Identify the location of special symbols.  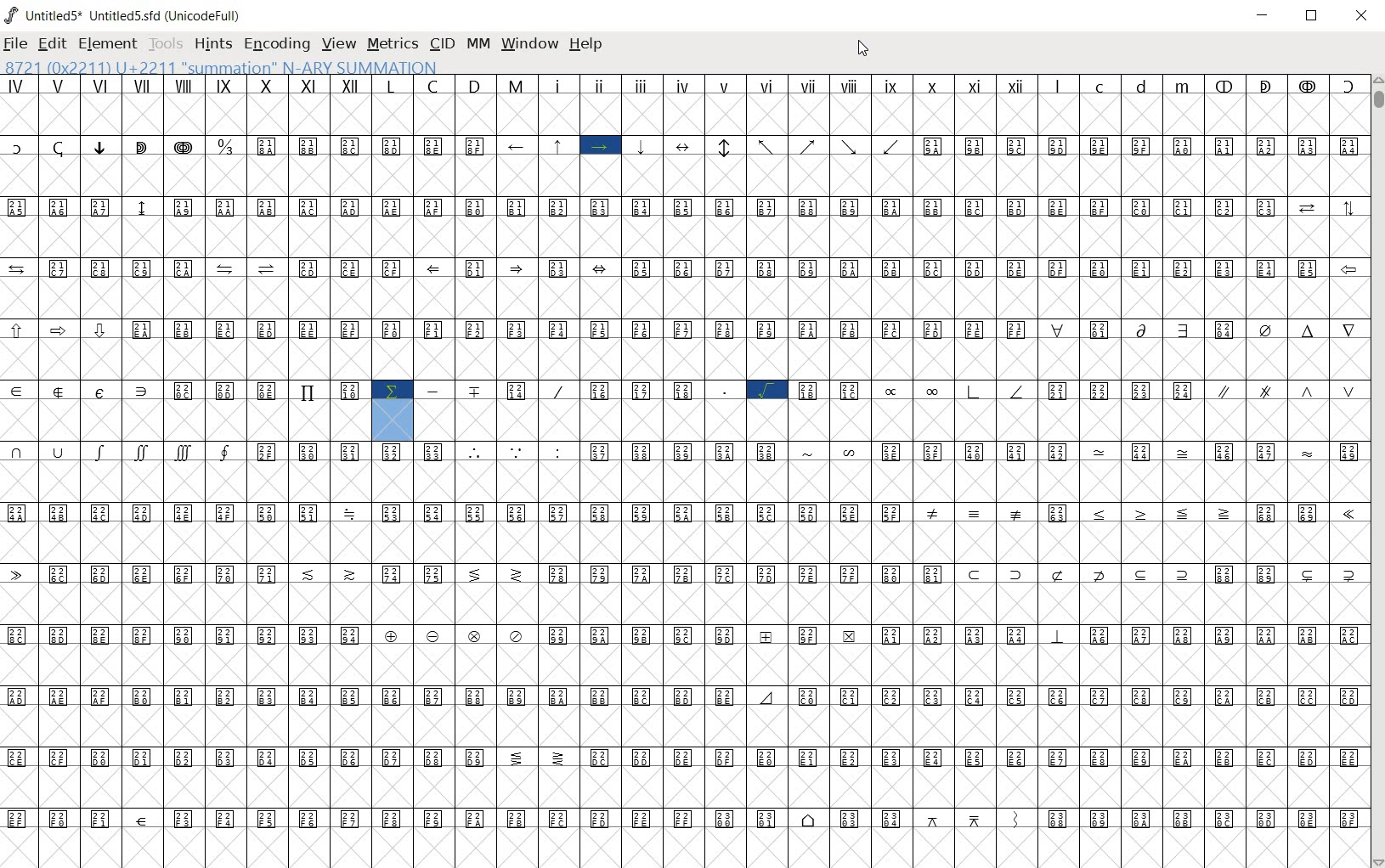
(687, 330).